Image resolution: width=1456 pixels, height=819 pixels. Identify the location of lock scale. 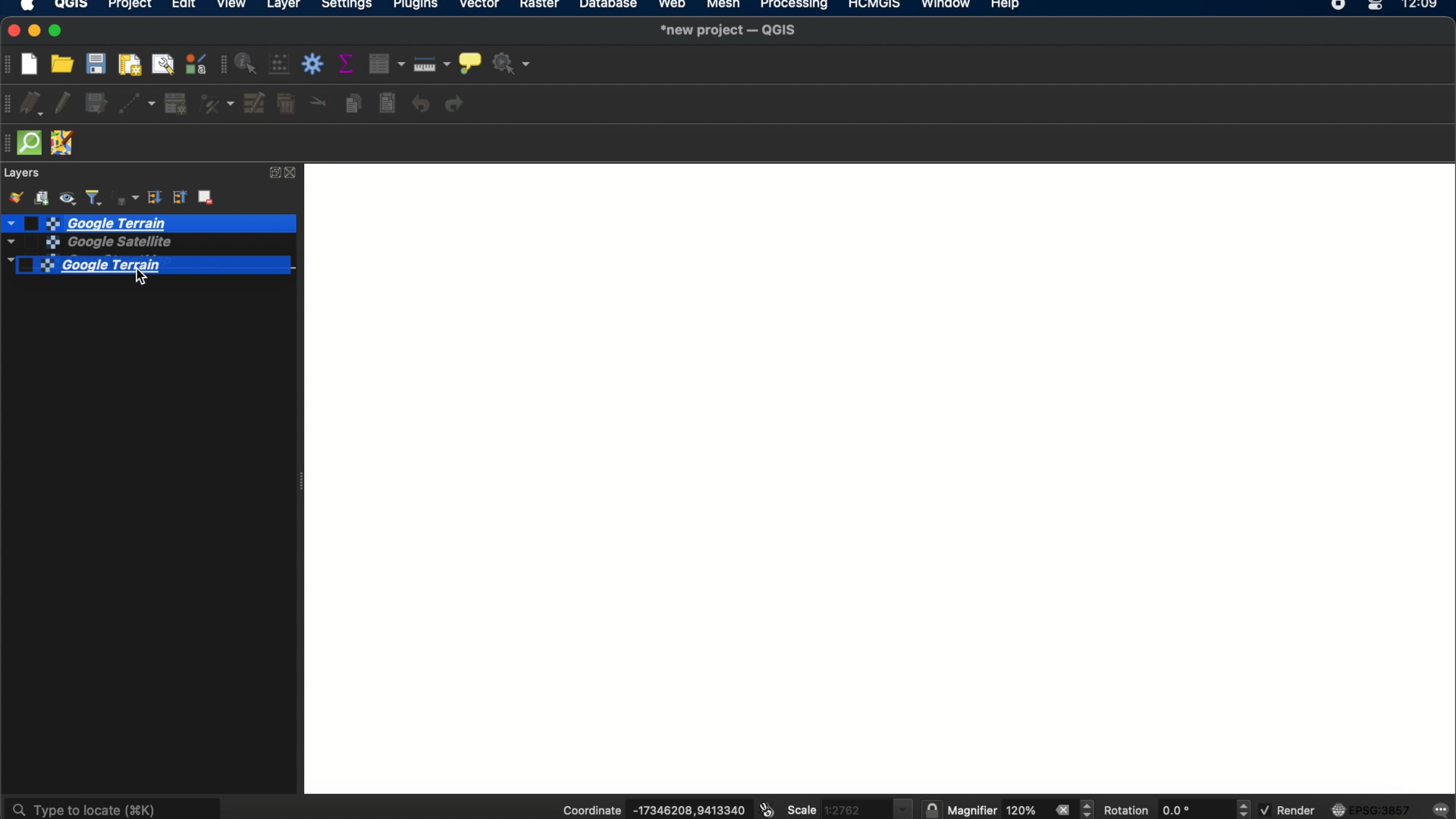
(931, 810).